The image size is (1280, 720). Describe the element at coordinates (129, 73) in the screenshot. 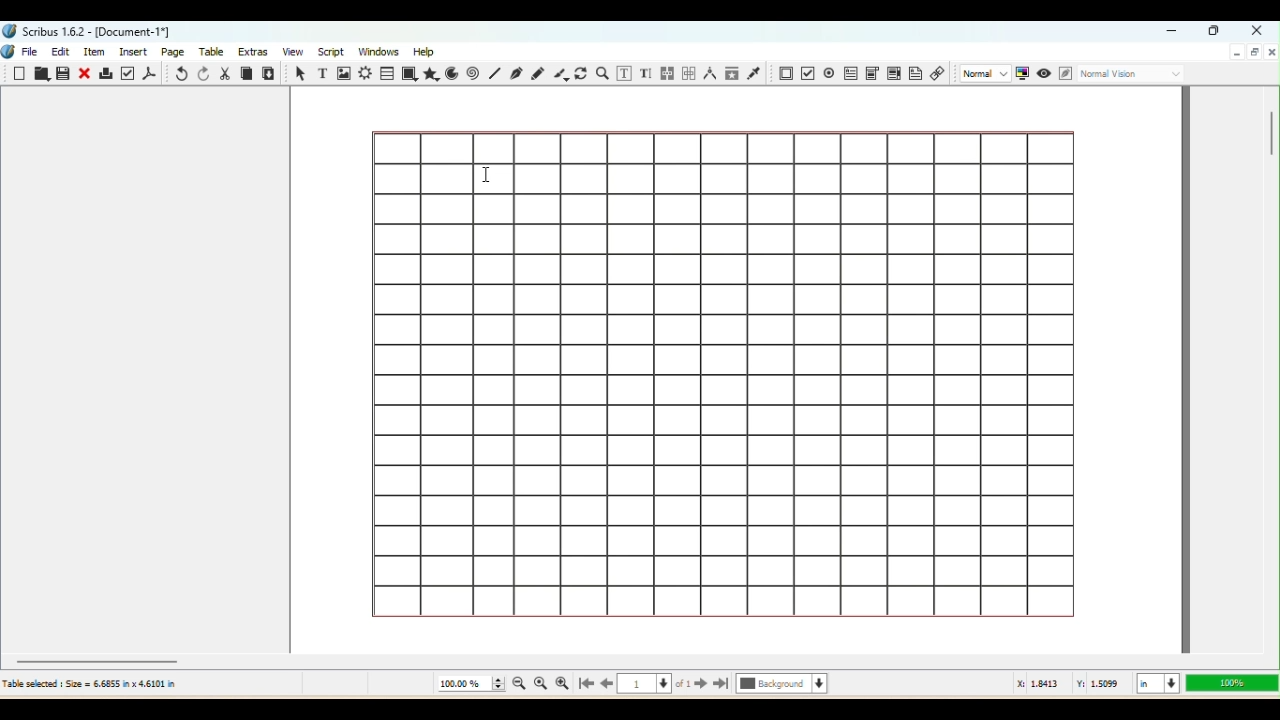

I see `Preflight verifier` at that location.